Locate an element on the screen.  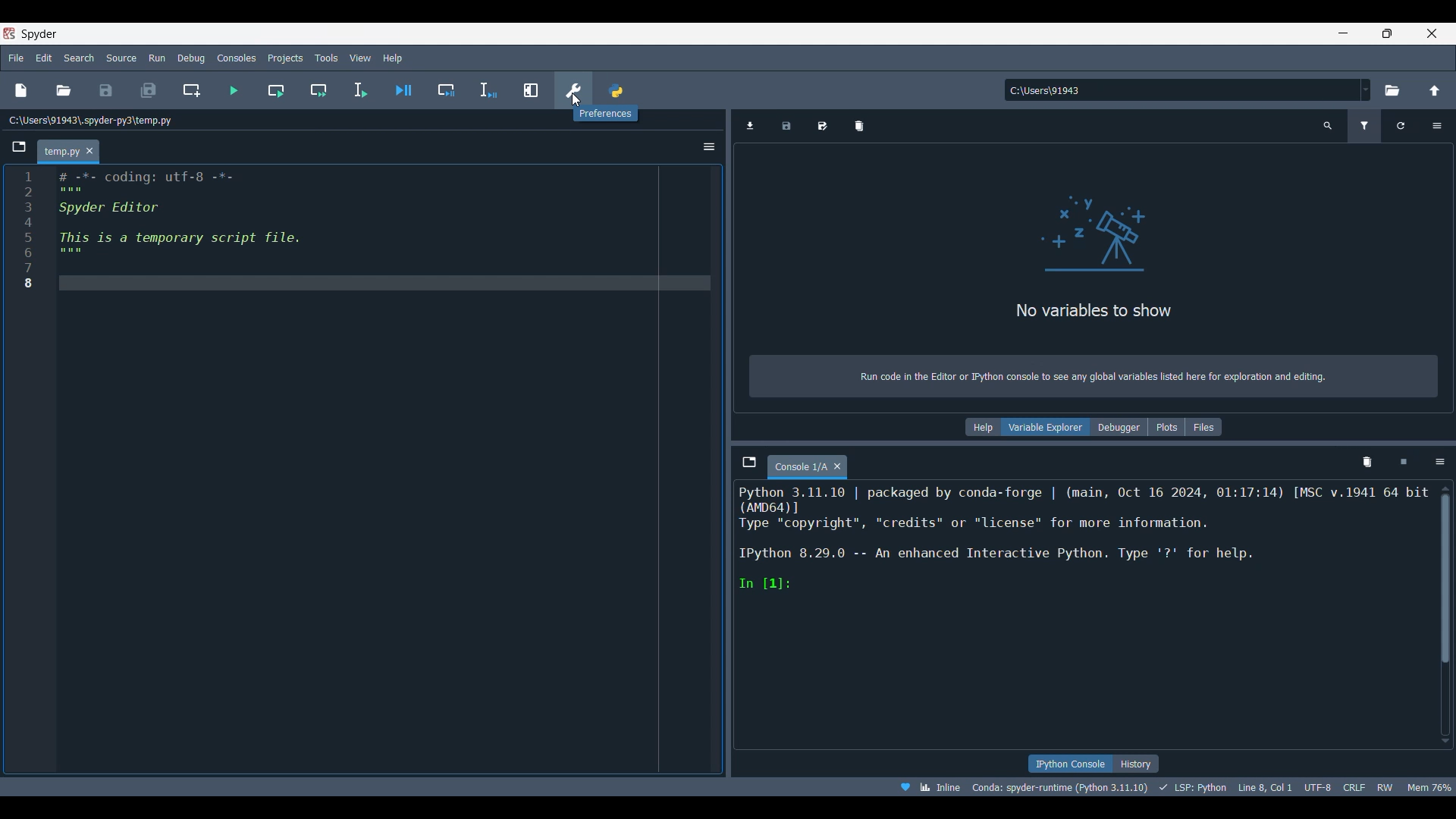
Run file is located at coordinates (234, 90).